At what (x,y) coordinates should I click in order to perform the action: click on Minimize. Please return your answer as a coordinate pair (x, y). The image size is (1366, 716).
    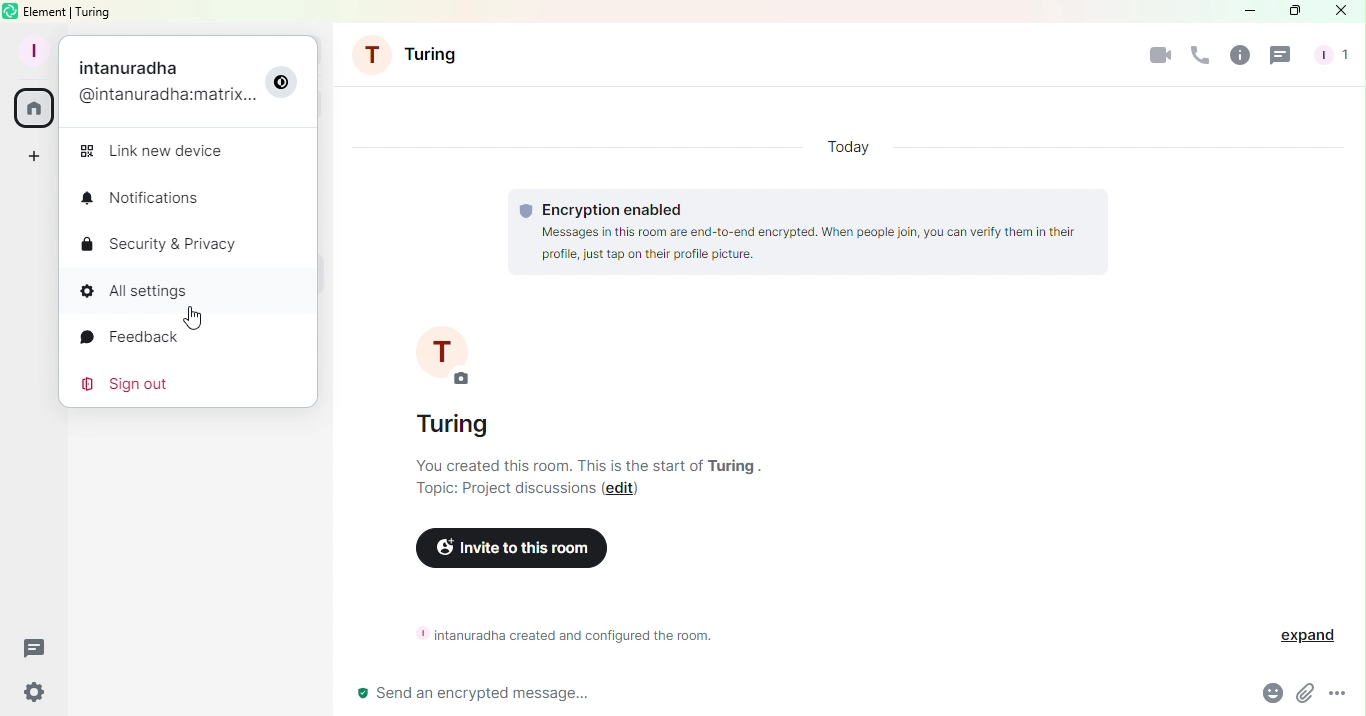
    Looking at the image, I should click on (1242, 10).